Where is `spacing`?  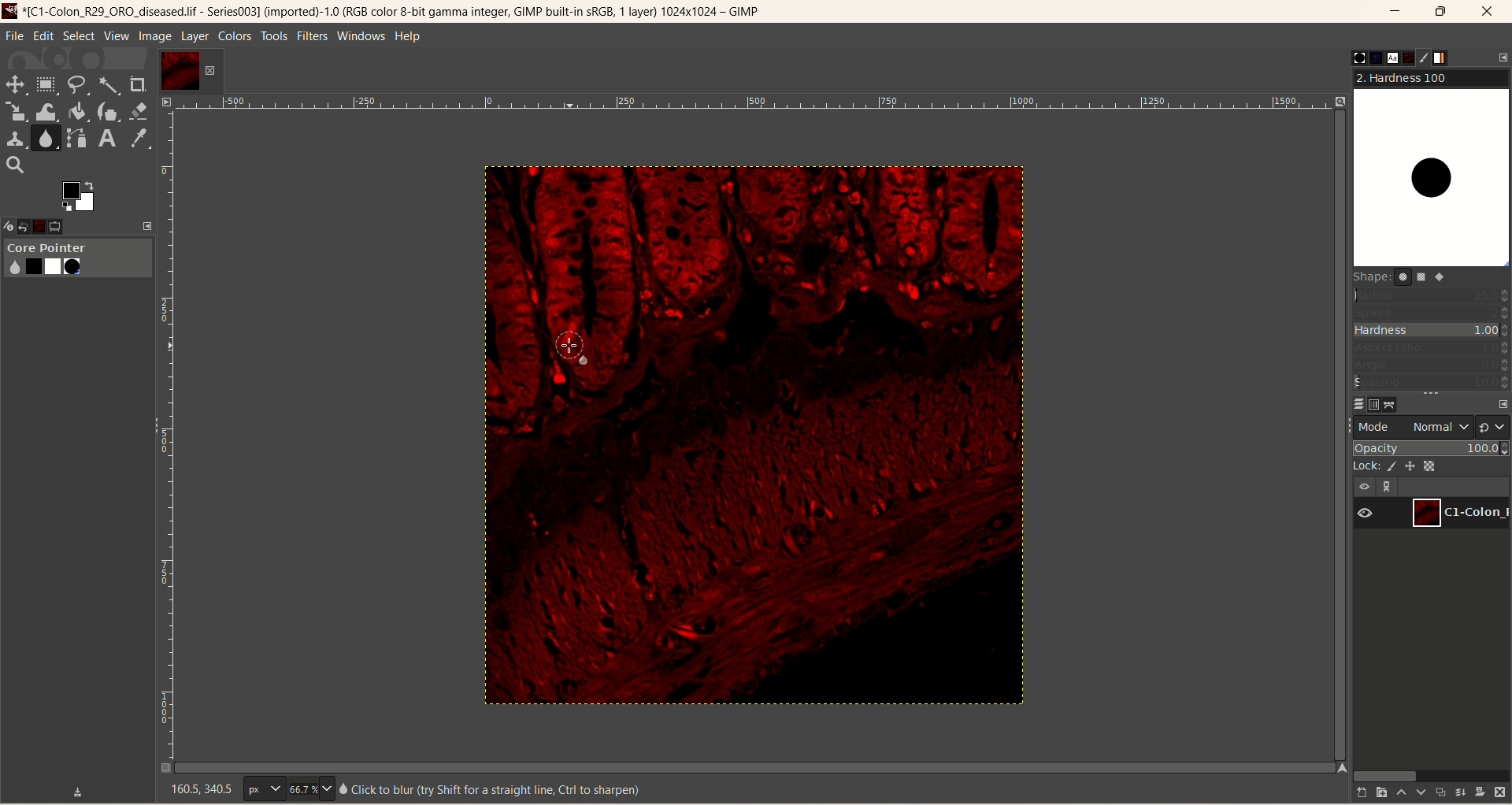 spacing is located at coordinates (1432, 383).